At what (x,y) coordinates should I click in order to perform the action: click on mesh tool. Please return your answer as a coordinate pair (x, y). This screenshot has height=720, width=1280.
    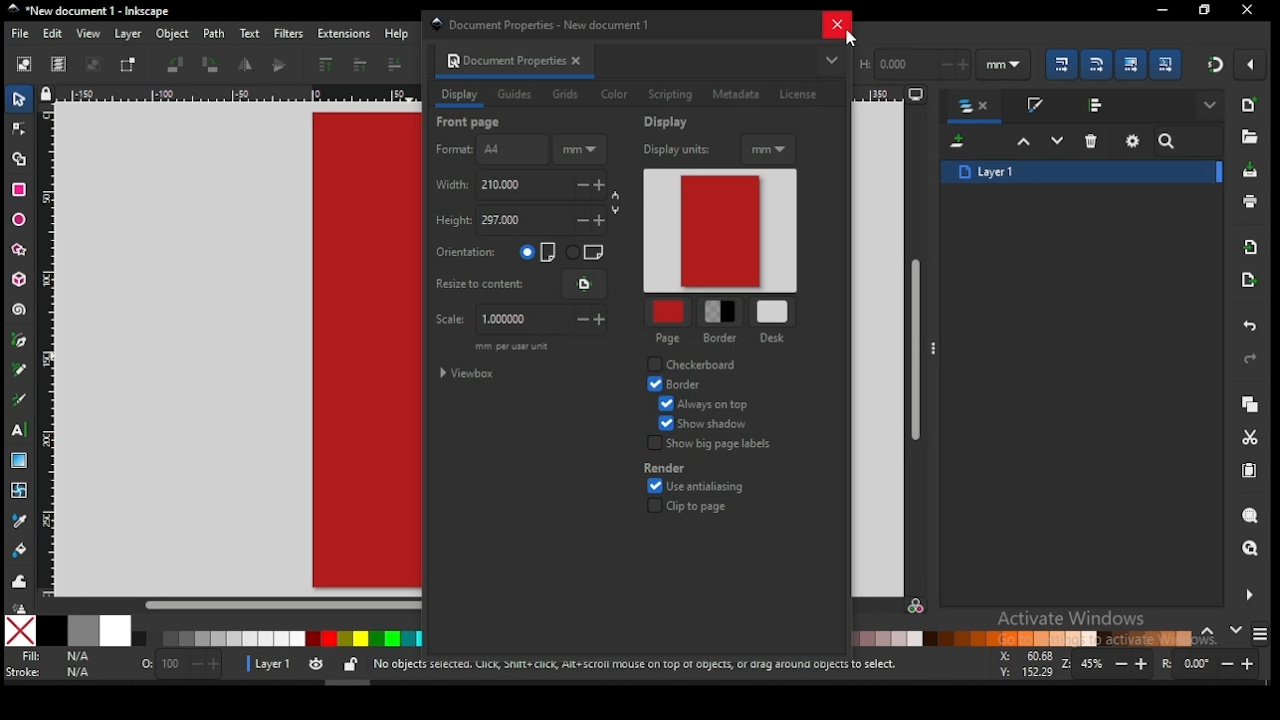
    Looking at the image, I should click on (21, 491).